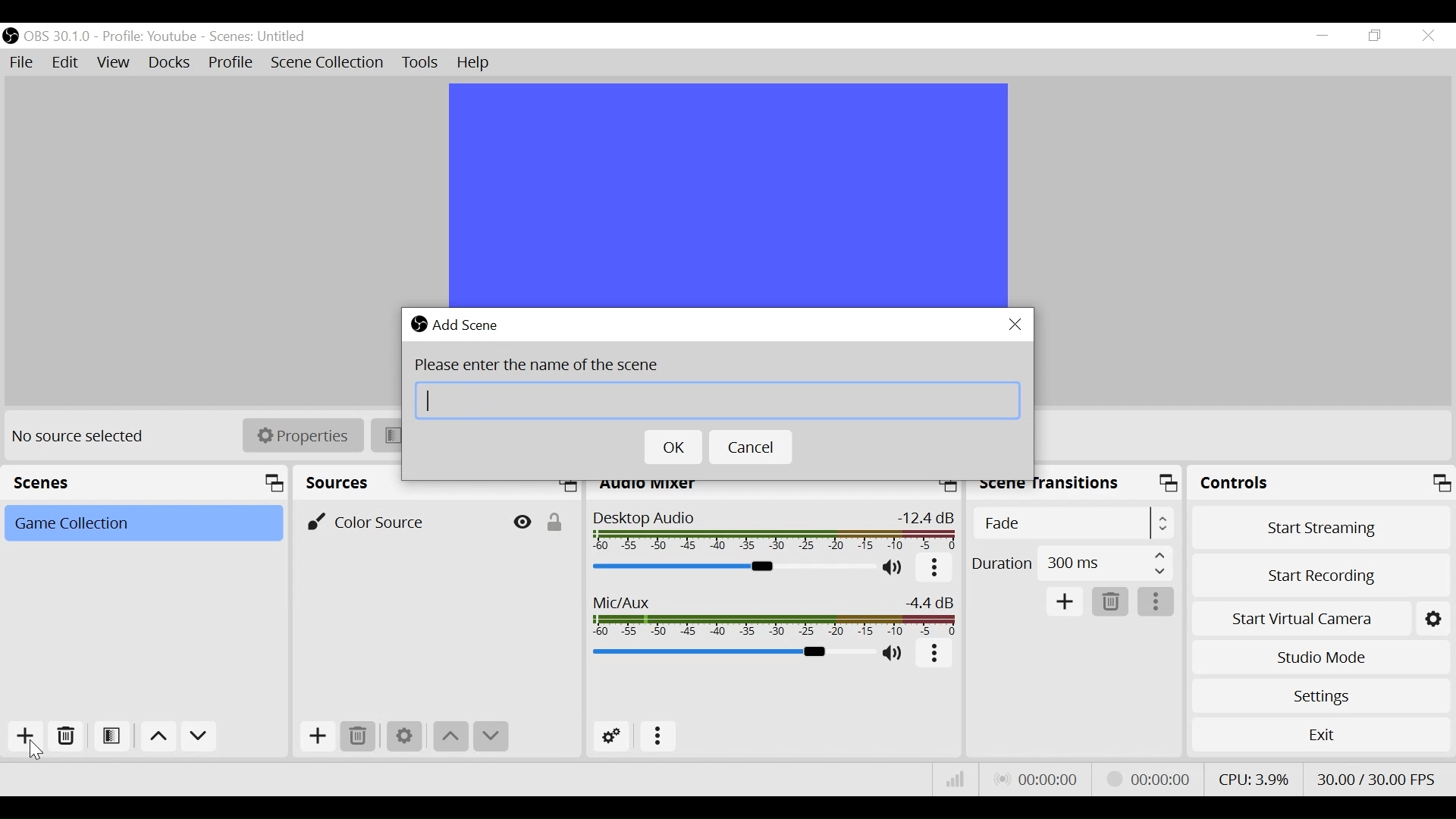 This screenshot has width=1456, height=819. I want to click on View, so click(115, 65).